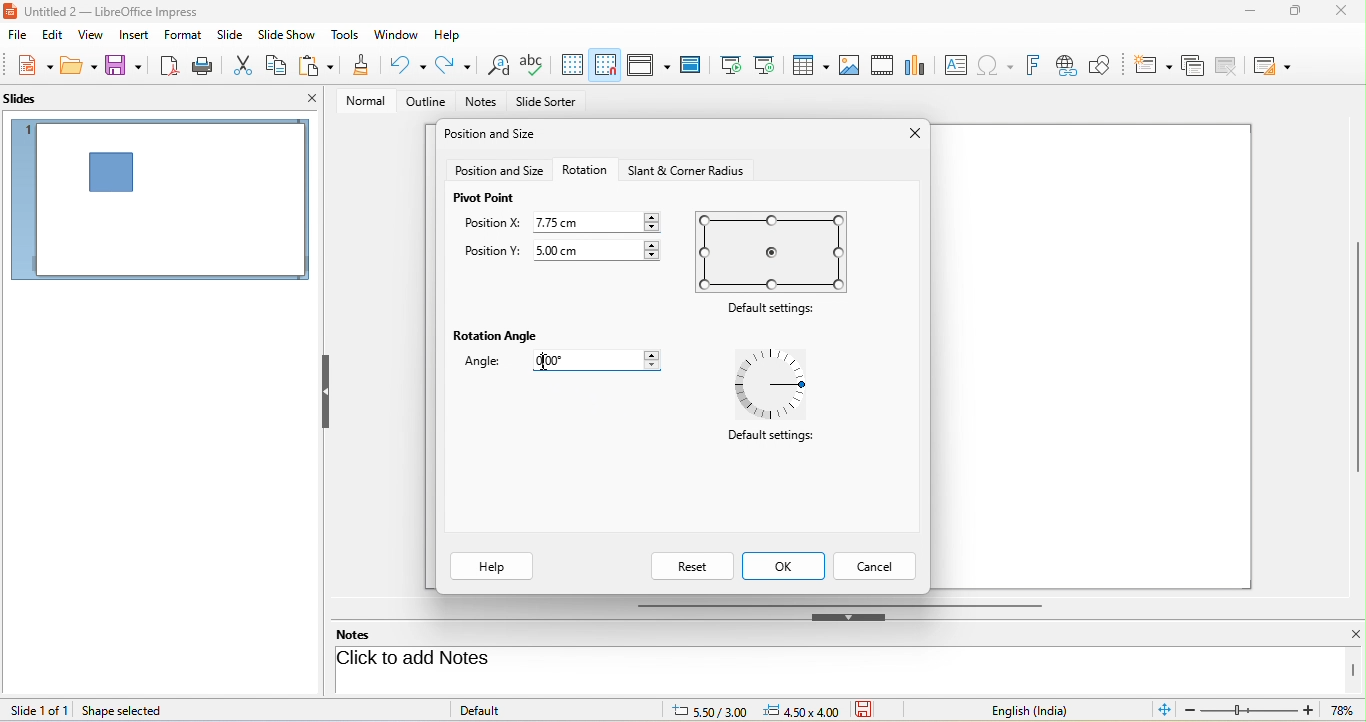  What do you see at coordinates (79, 68) in the screenshot?
I see `open` at bounding box center [79, 68].